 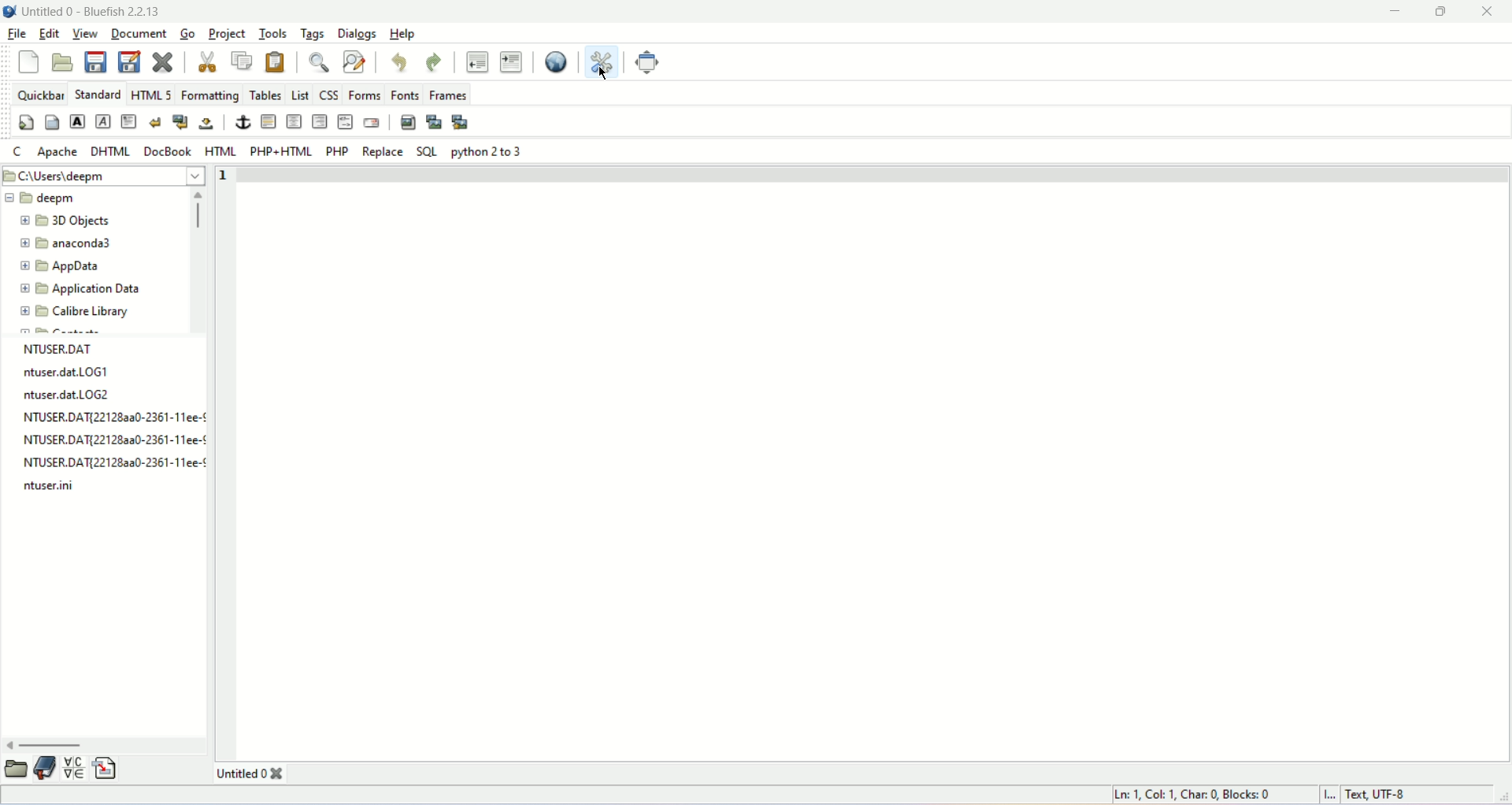 What do you see at coordinates (329, 93) in the screenshot?
I see `CSS` at bounding box center [329, 93].